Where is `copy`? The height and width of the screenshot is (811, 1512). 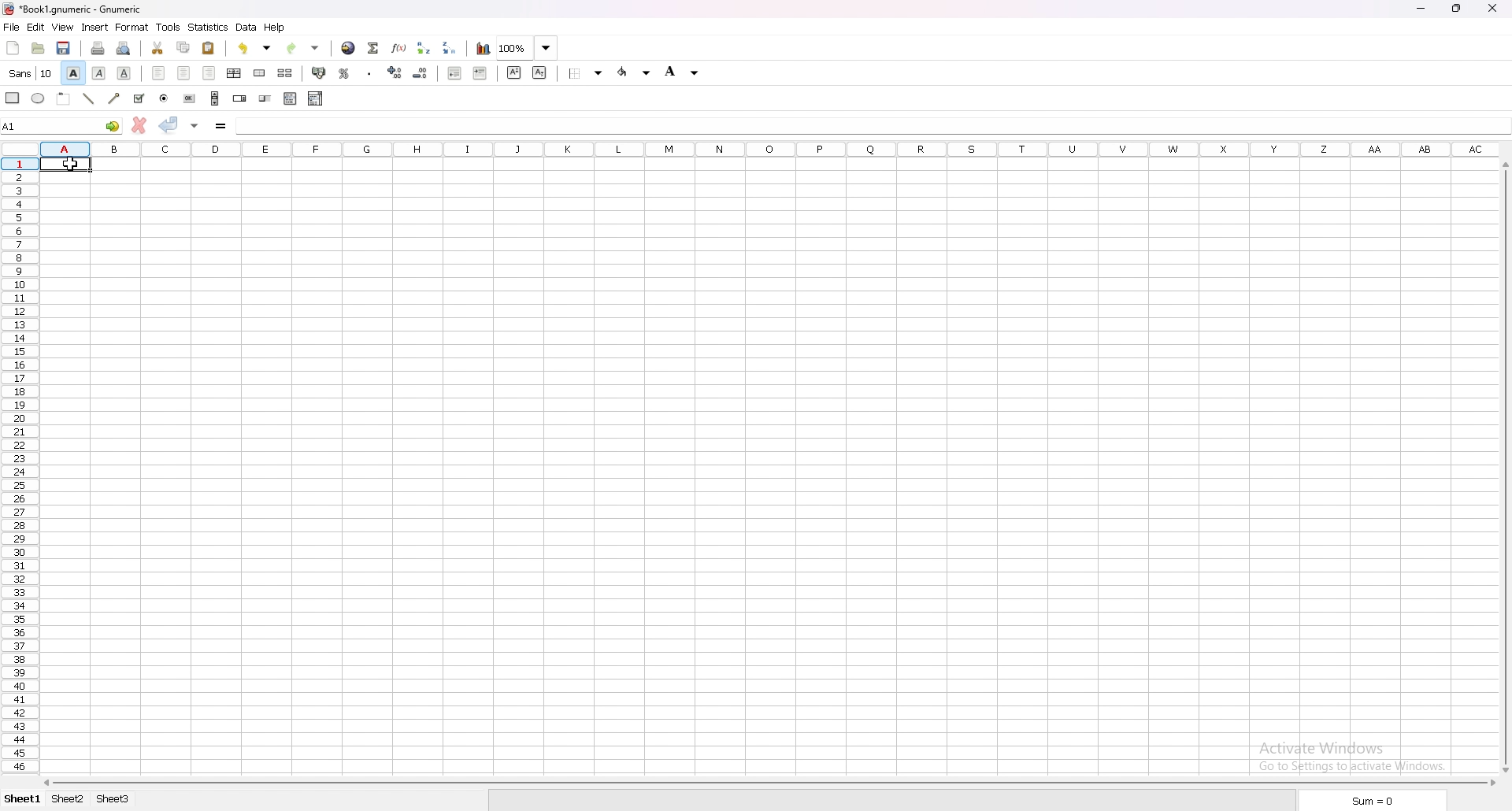 copy is located at coordinates (183, 47).